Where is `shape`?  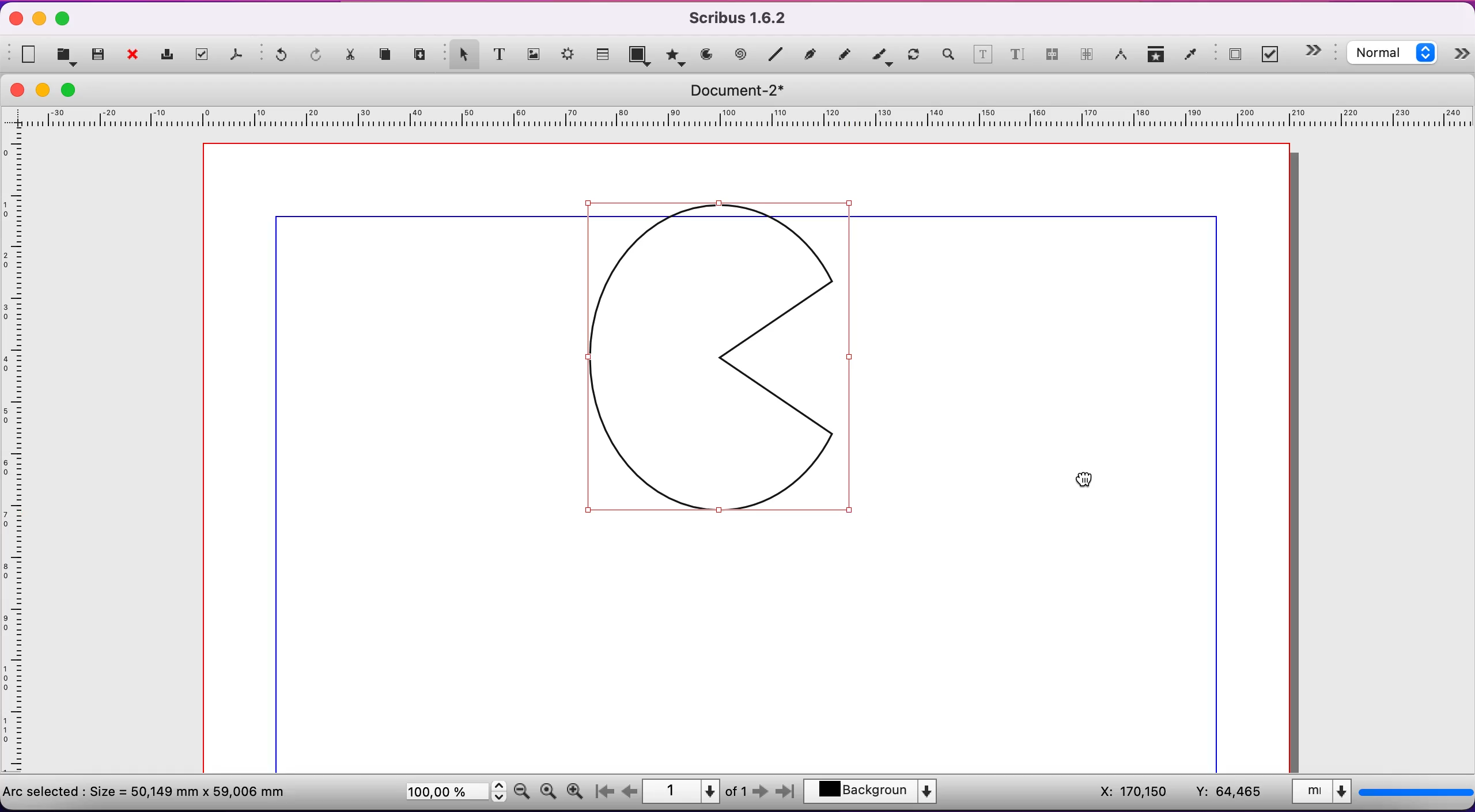
shape is located at coordinates (641, 57).